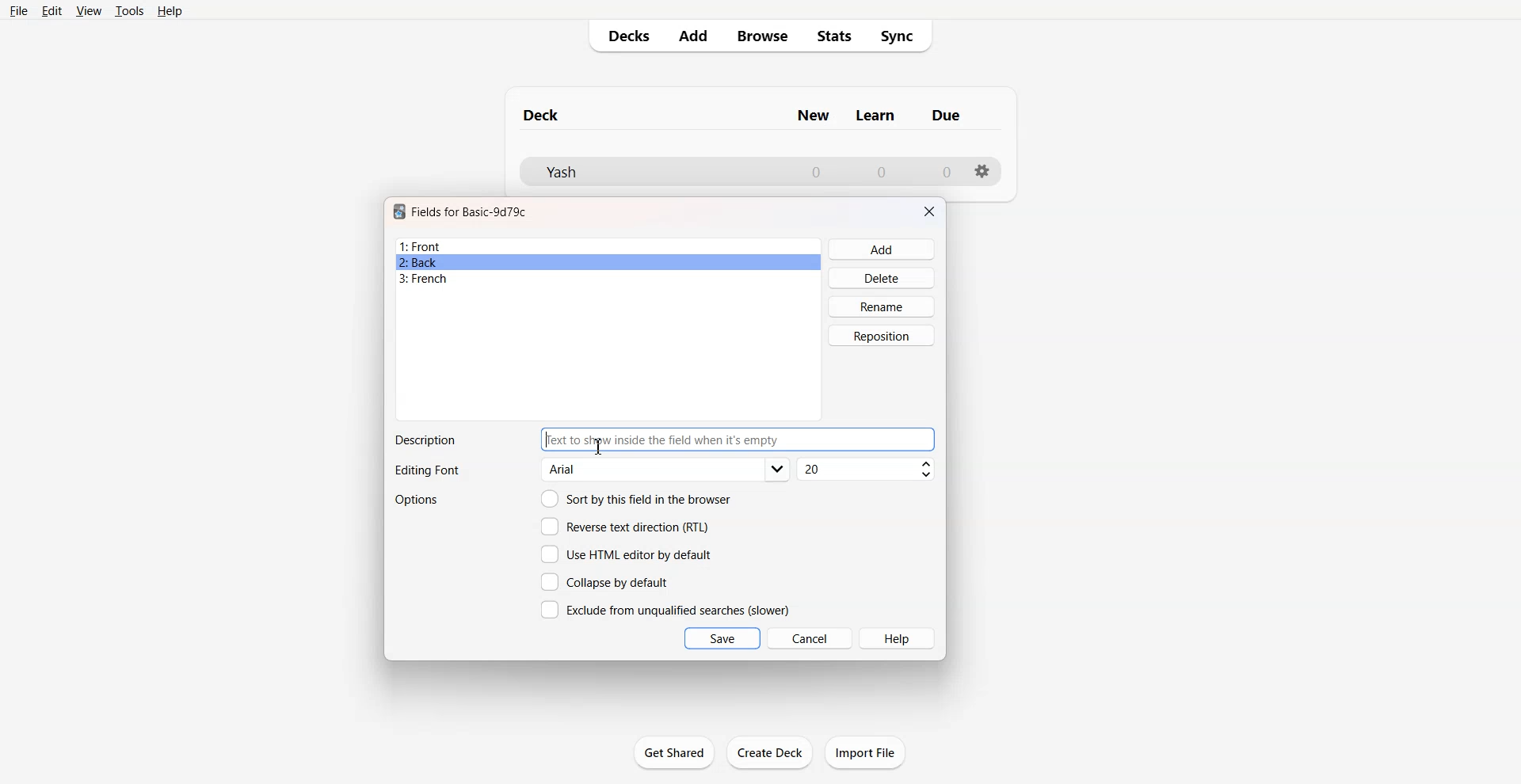 The height and width of the screenshot is (784, 1521). Describe the element at coordinates (722, 638) in the screenshot. I see `Save` at that location.